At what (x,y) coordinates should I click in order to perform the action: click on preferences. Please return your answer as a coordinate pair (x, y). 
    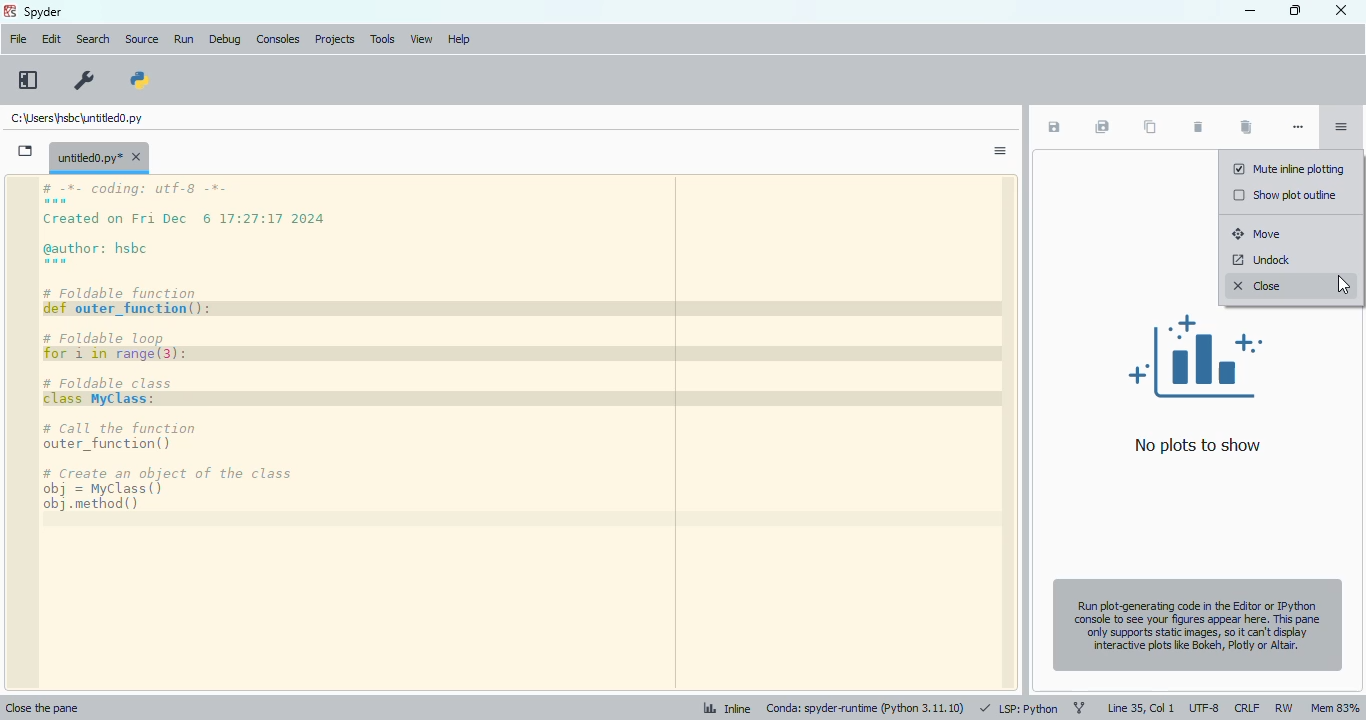
    Looking at the image, I should click on (85, 80).